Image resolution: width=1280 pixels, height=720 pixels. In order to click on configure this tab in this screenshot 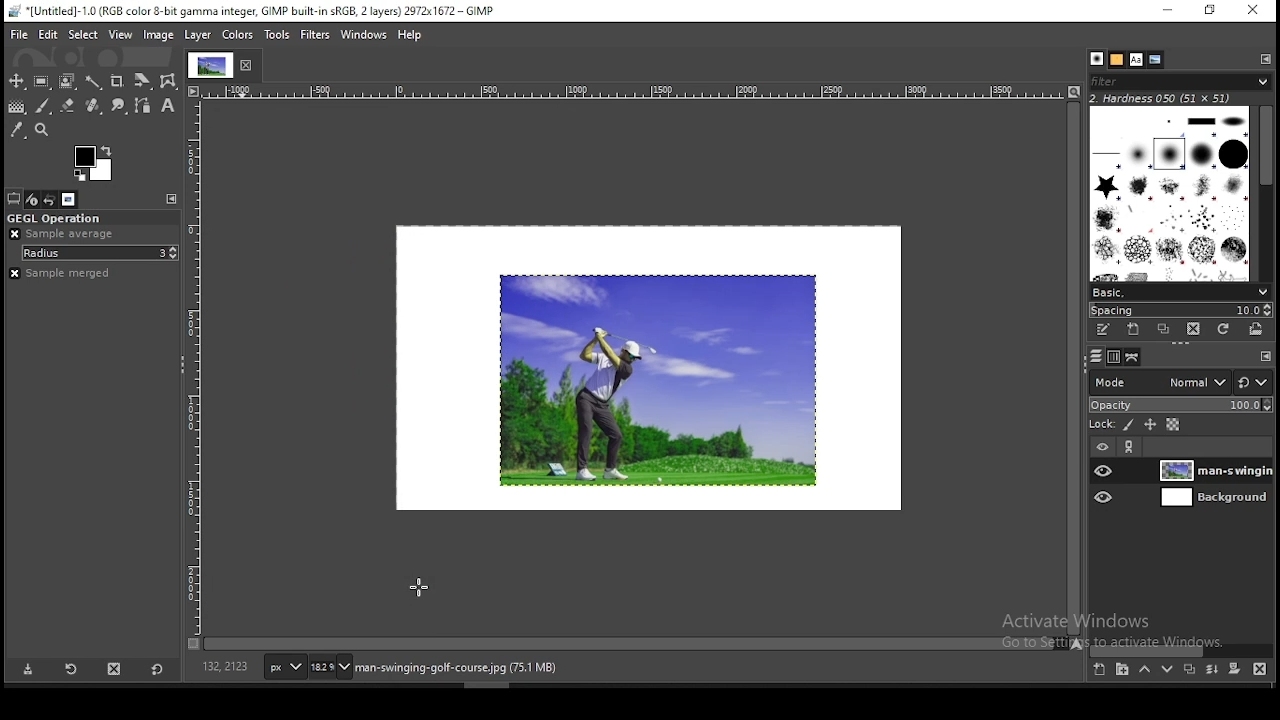, I will do `click(1264, 60)`.